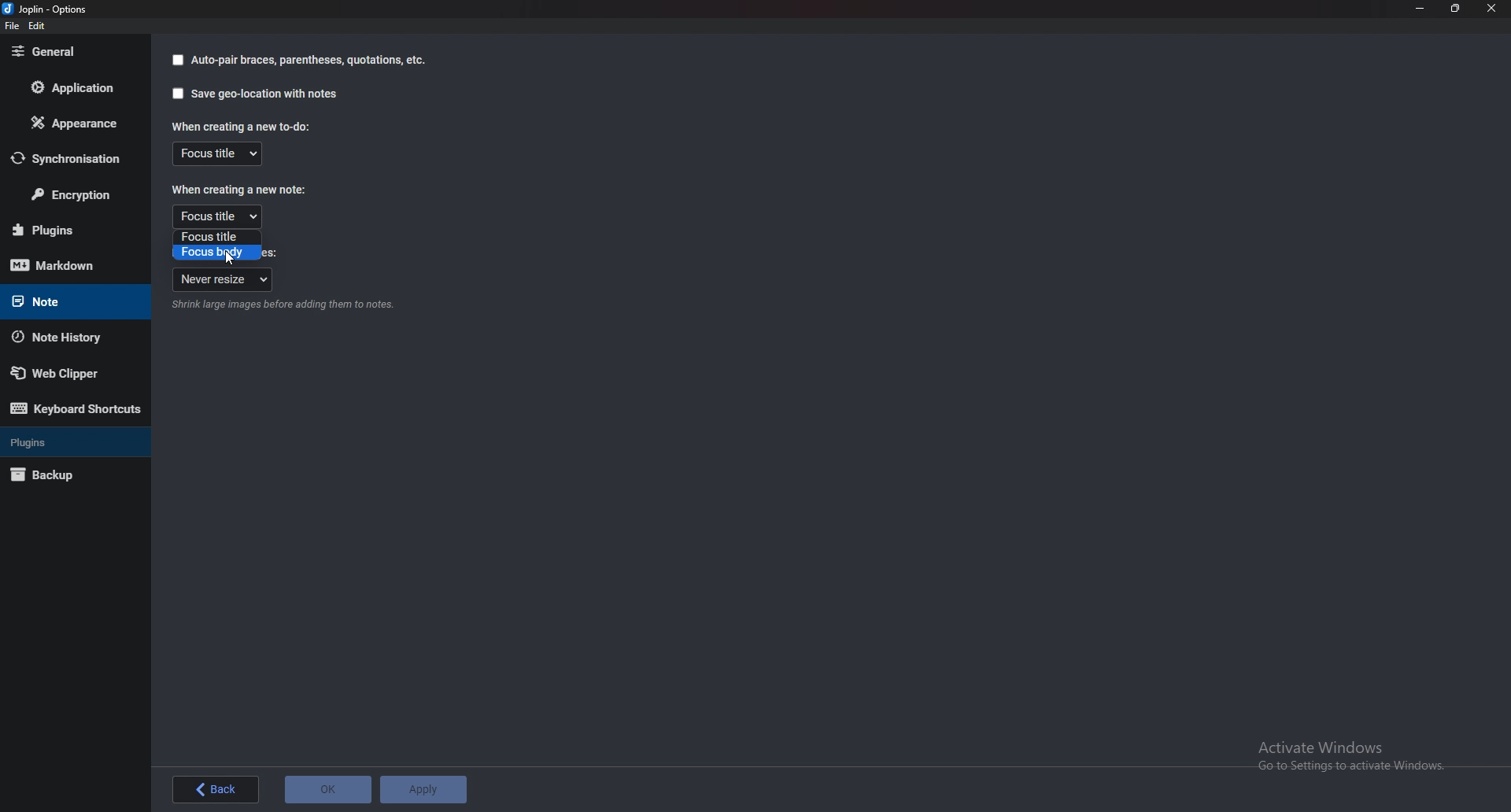 The width and height of the screenshot is (1511, 812). Describe the element at coordinates (1453, 9) in the screenshot. I see `Resize` at that location.